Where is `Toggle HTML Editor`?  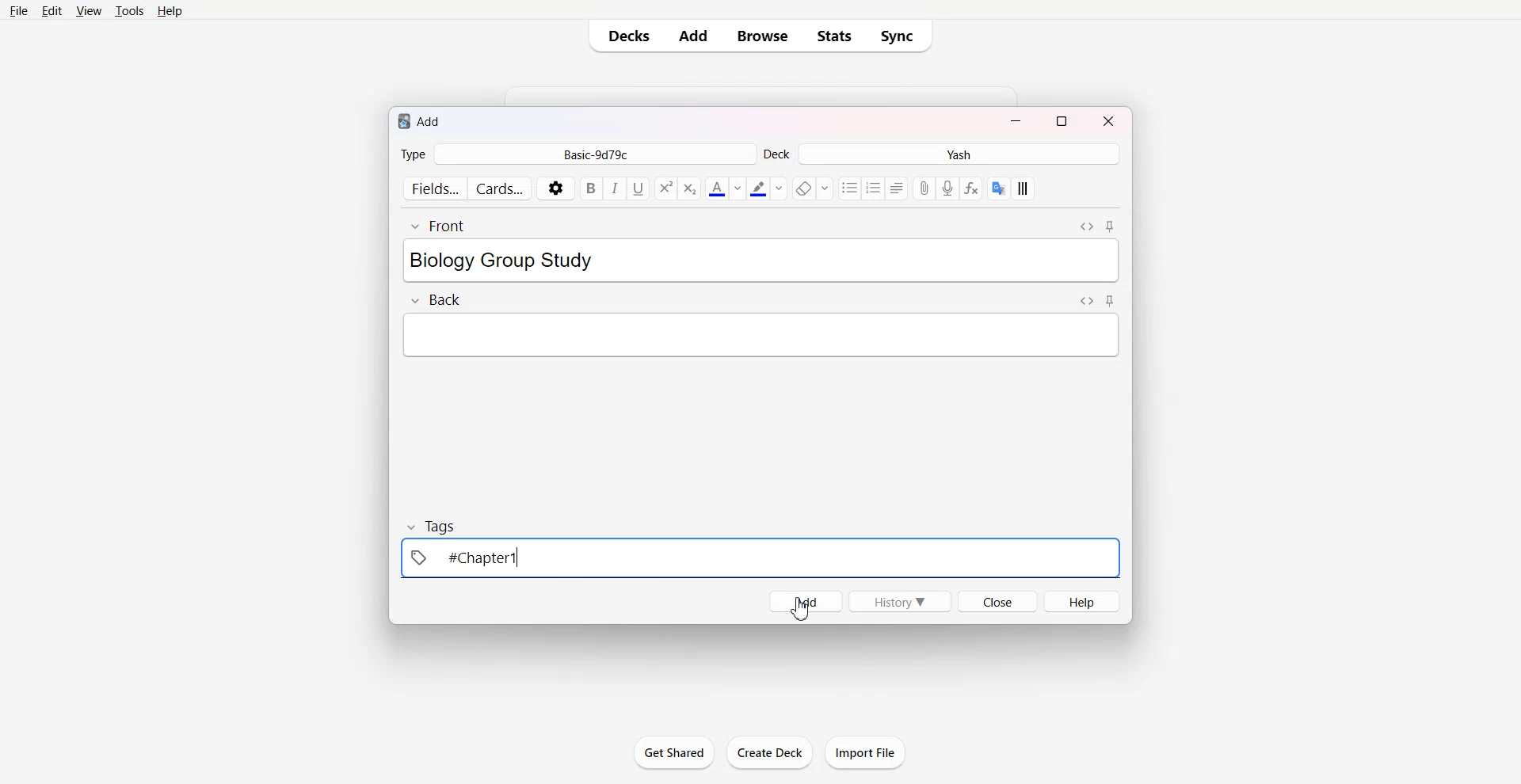 Toggle HTML Editor is located at coordinates (1086, 301).